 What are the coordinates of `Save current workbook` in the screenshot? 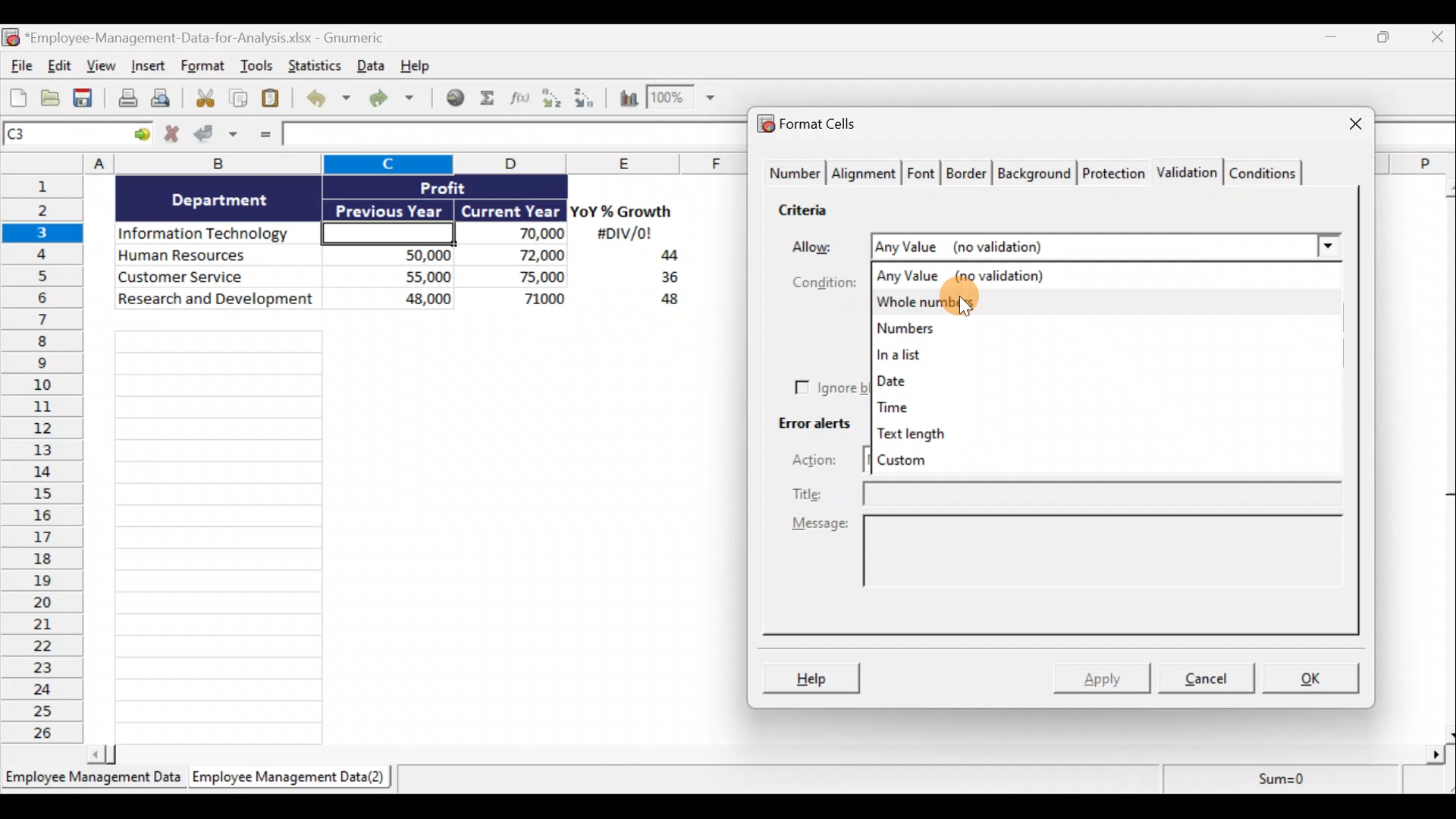 It's located at (84, 99).